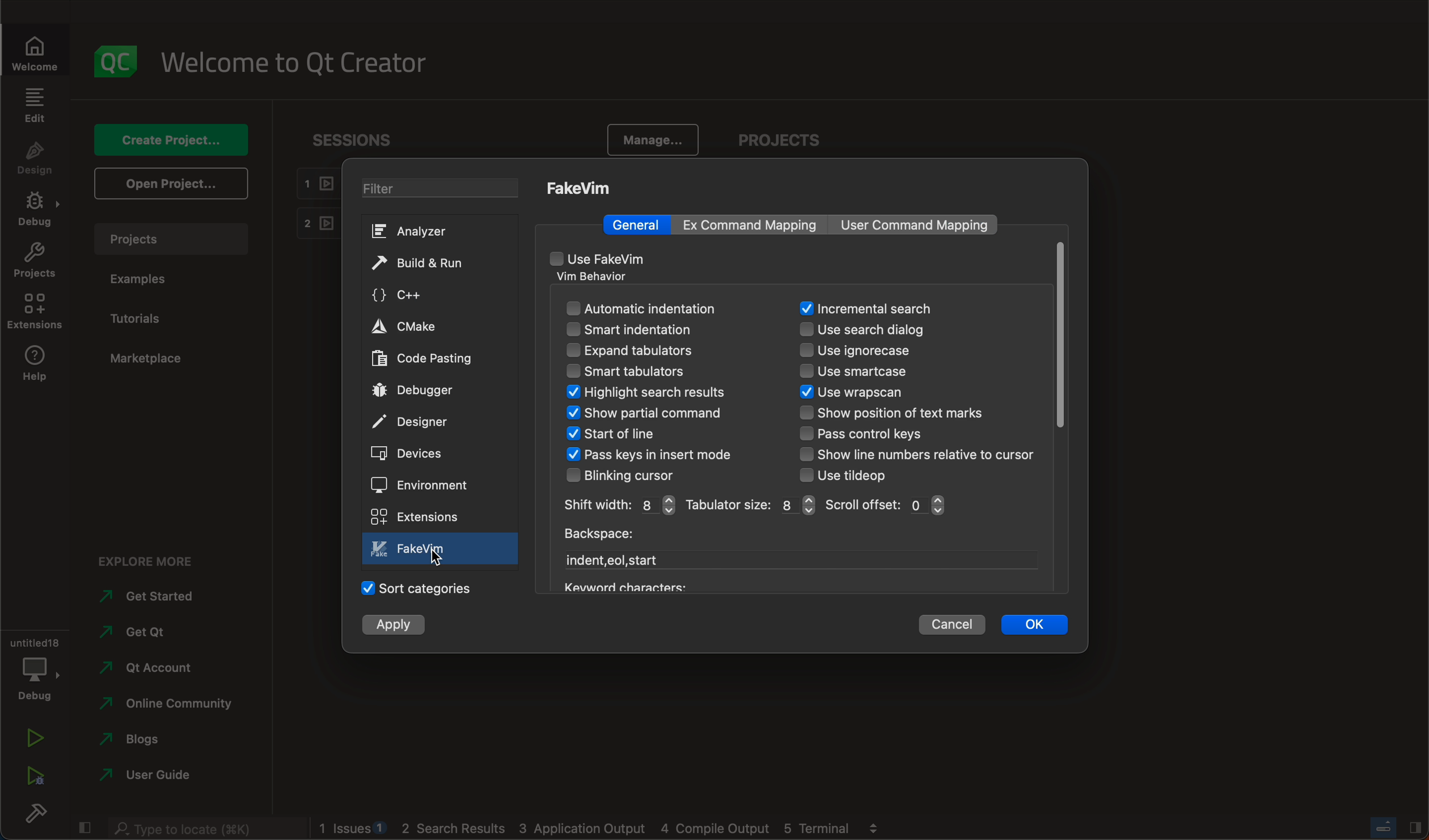  I want to click on tiledop, so click(853, 476).